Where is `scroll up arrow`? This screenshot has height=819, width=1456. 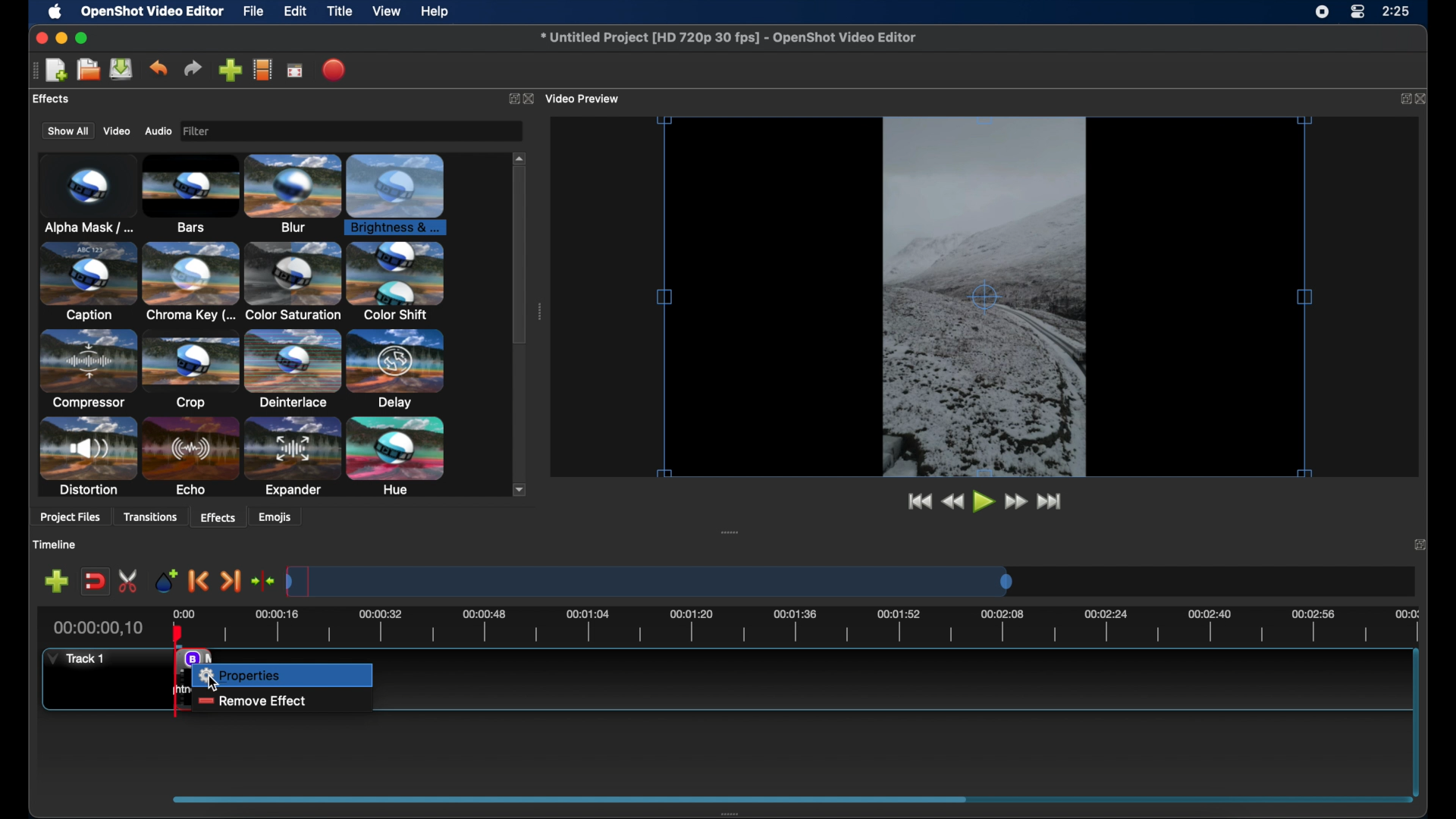
scroll up arrow is located at coordinates (519, 156).